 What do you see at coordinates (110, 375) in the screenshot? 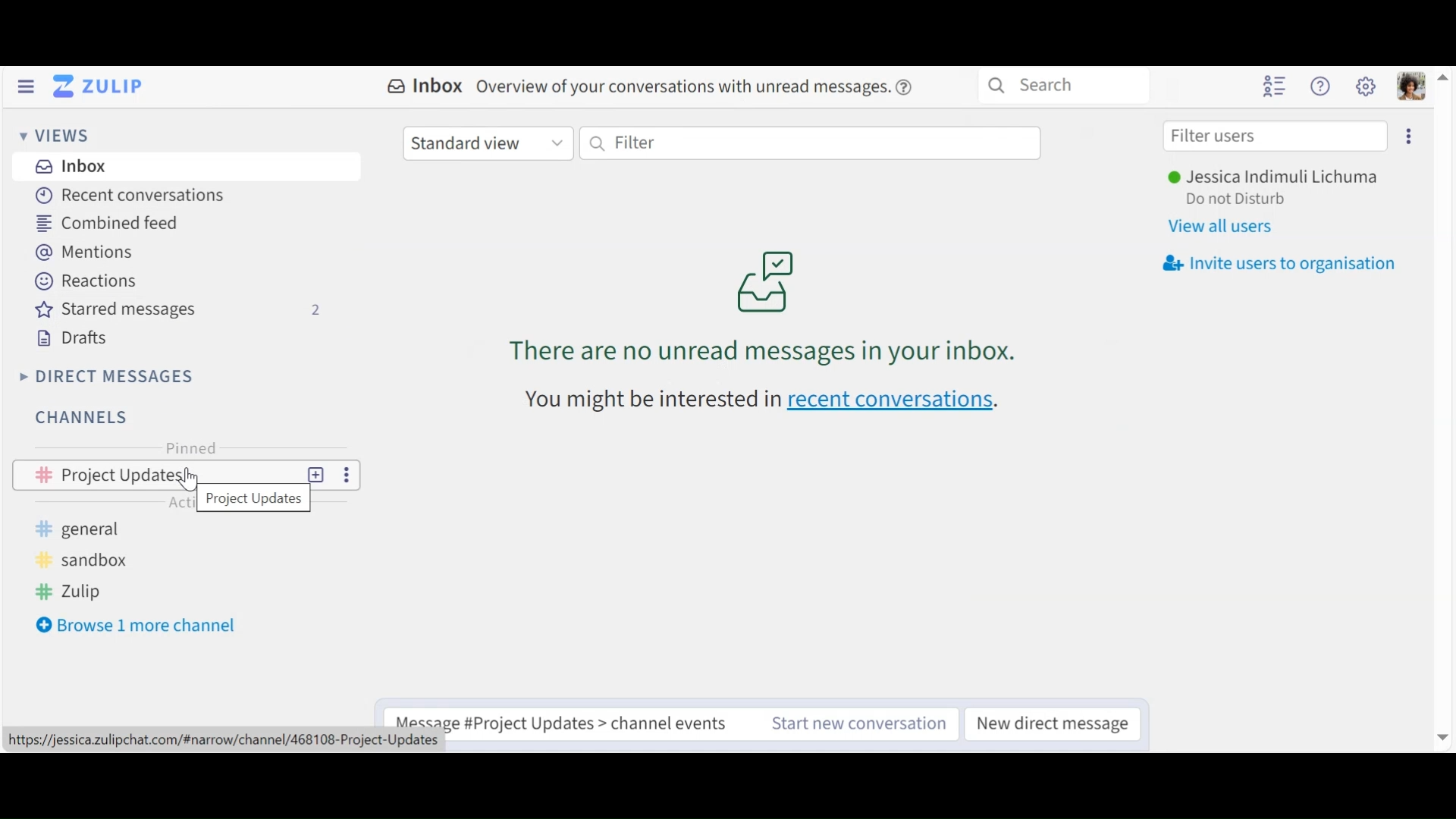
I see `Direct Messages` at bounding box center [110, 375].